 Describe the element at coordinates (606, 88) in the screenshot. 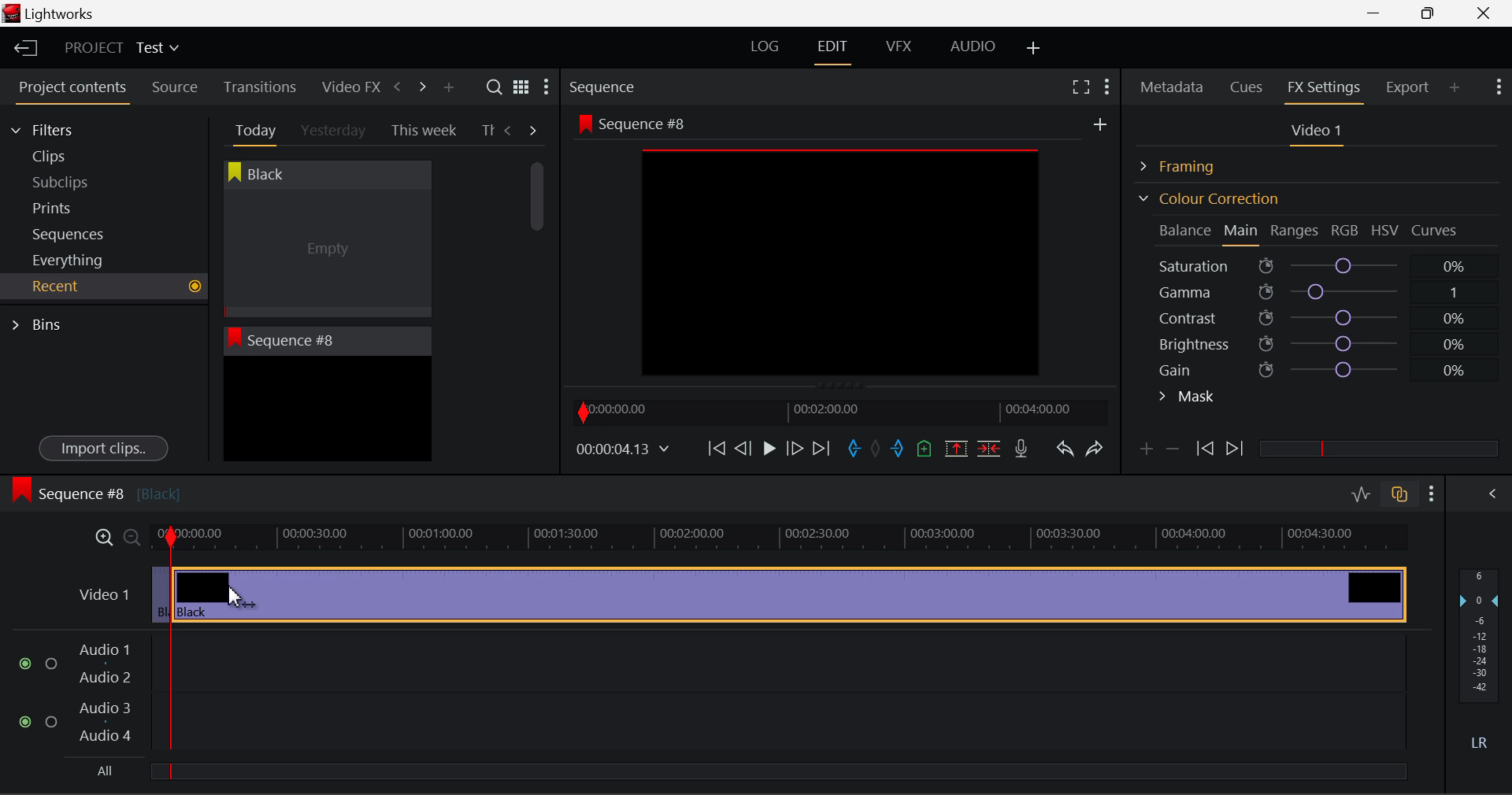

I see `Sequence Preview Section` at that location.